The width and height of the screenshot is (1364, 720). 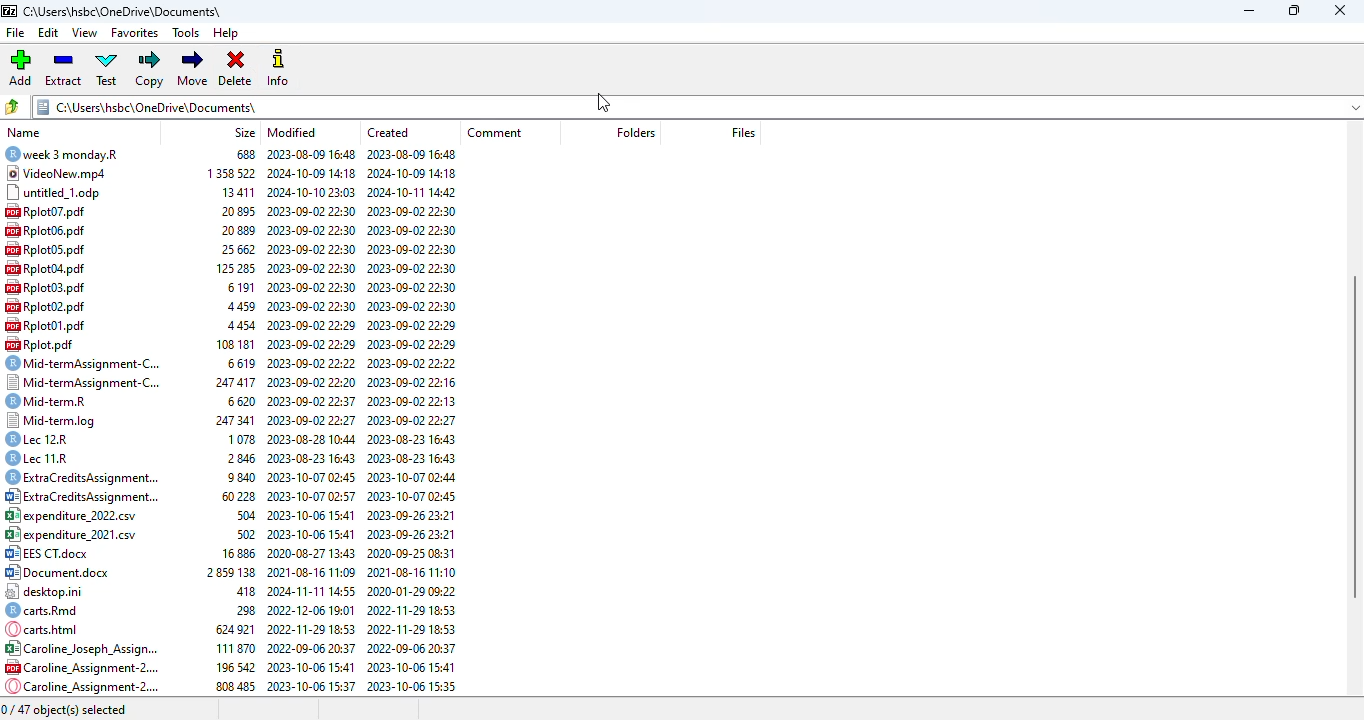 What do you see at coordinates (635, 133) in the screenshot?
I see `folders` at bounding box center [635, 133].